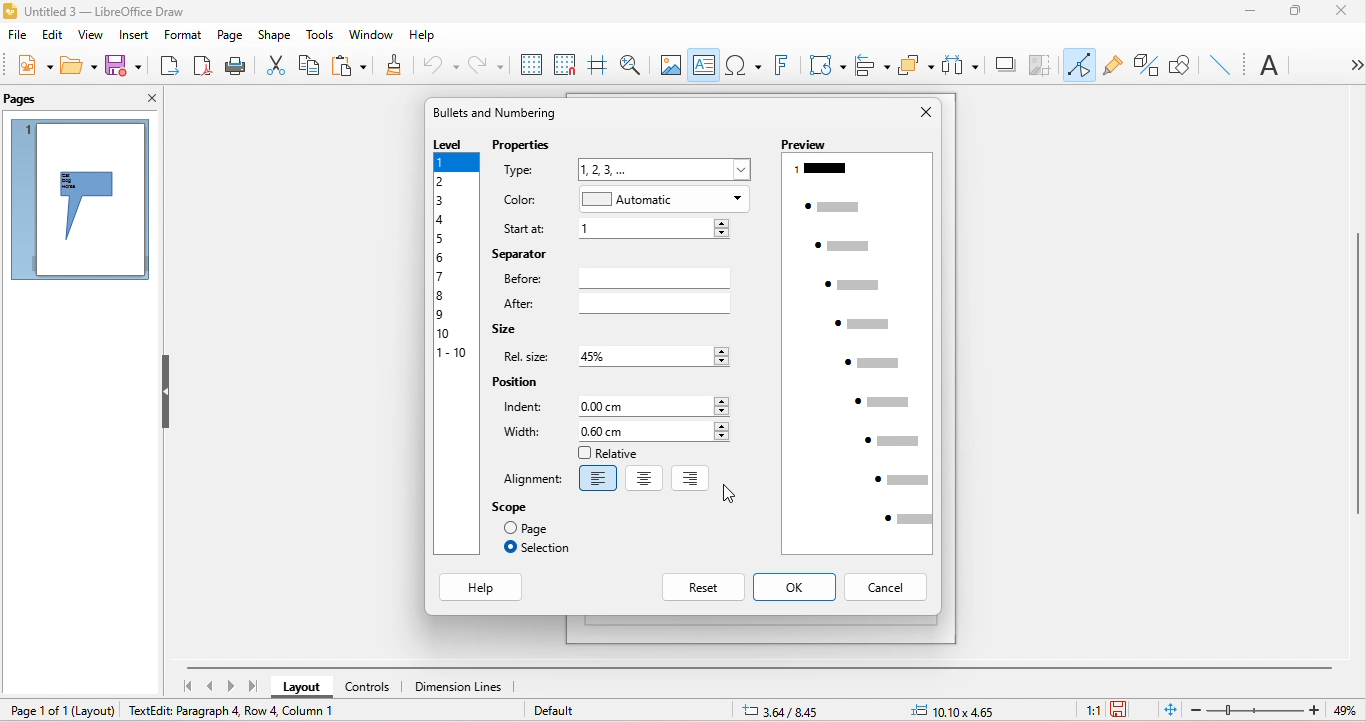  What do you see at coordinates (18, 38) in the screenshot?
I see `file` at bounding box center [18, 38].